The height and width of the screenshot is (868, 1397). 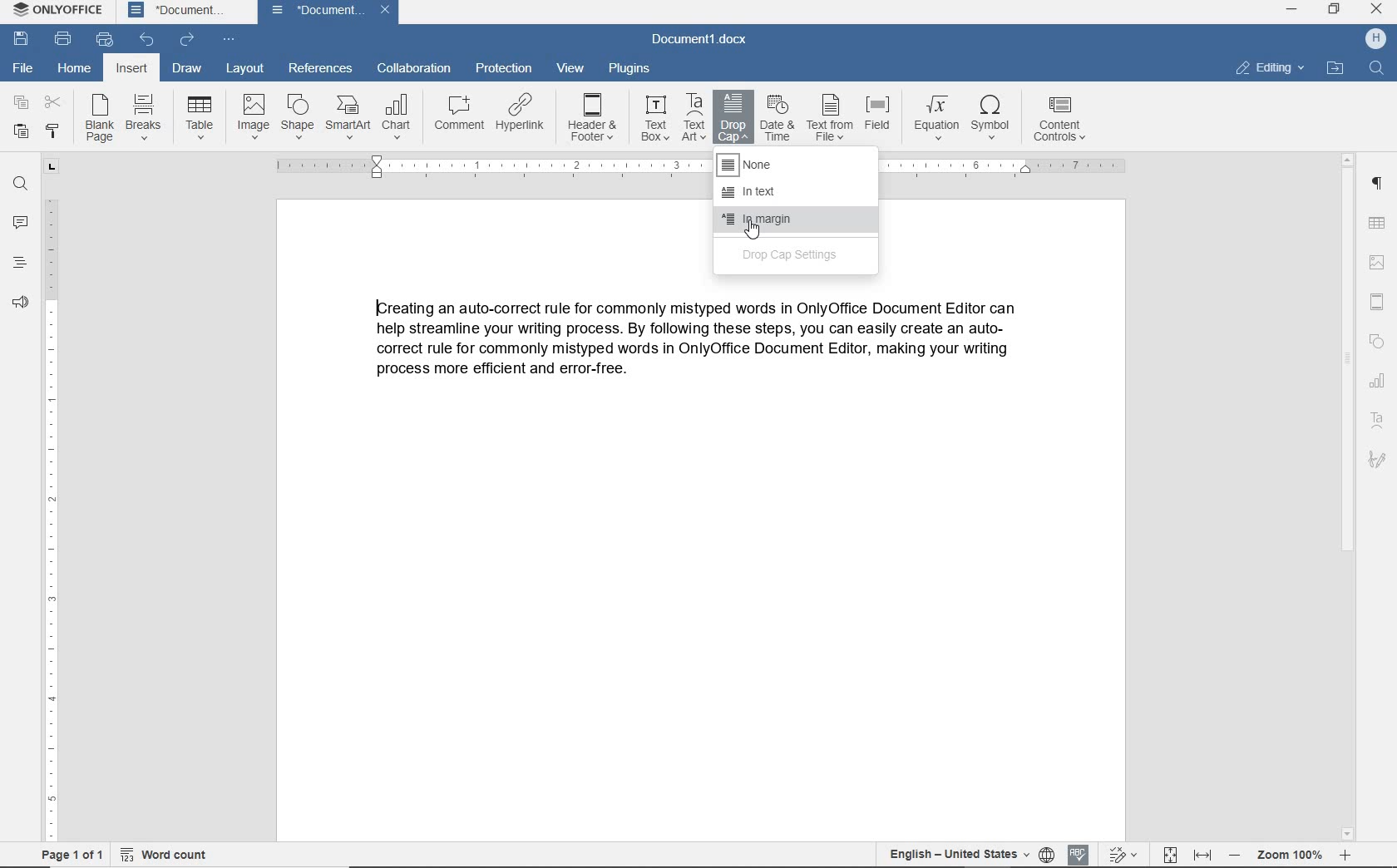 I want to click on undo, so click(x=148, y=40).